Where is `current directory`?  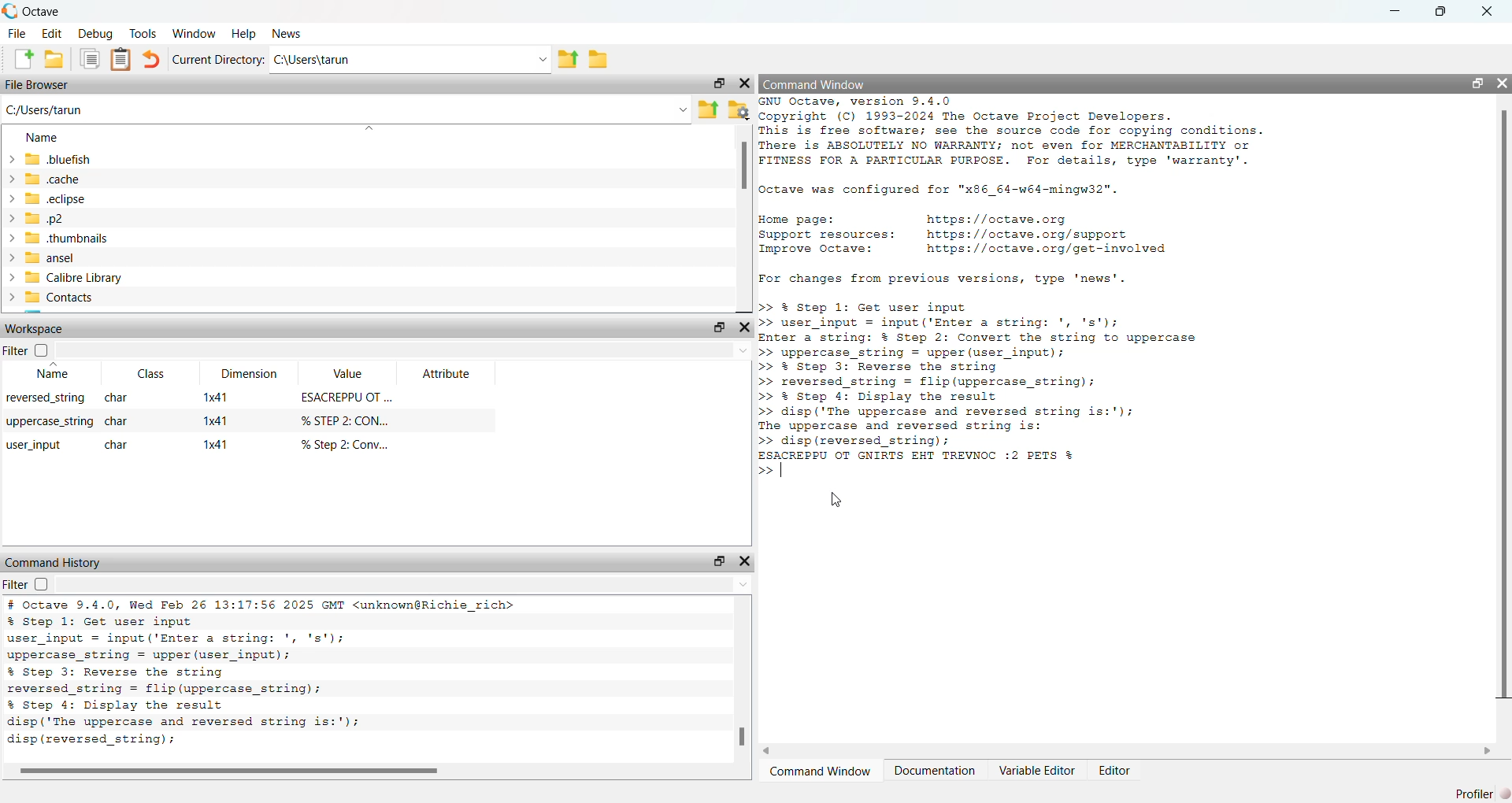
current directory is located at coordinates (217, 58).